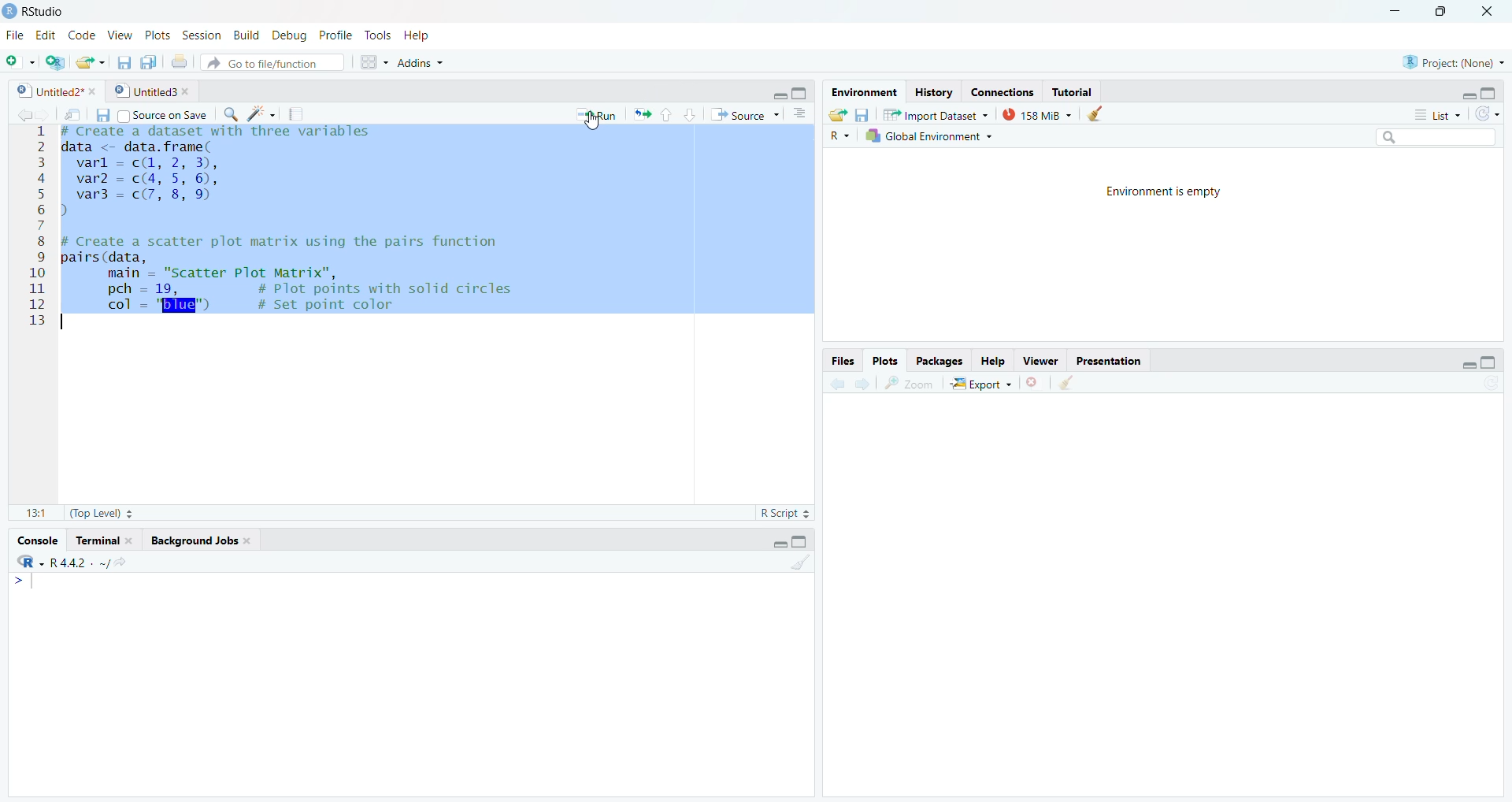  Describe the element at coordinates (24, 113) in the screenshot. I see `forward/backward` at that location.